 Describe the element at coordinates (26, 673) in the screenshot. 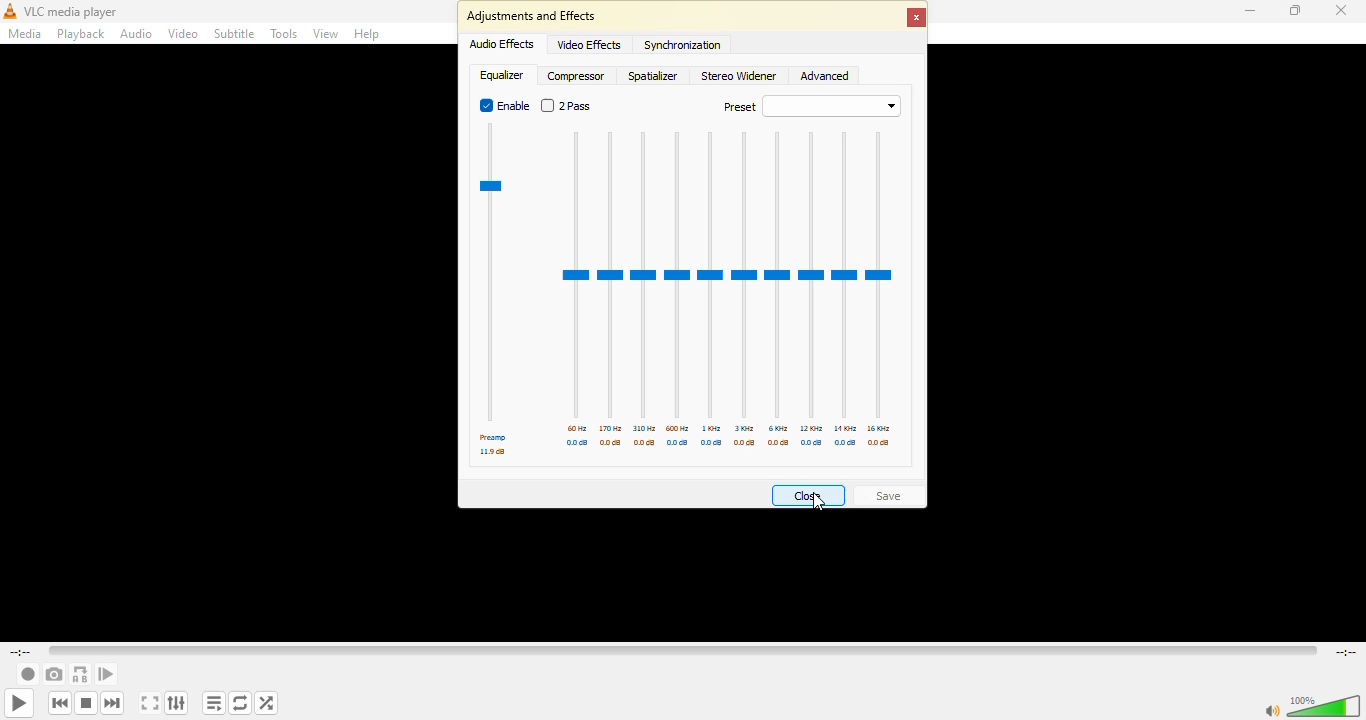

I see `record` at that location.